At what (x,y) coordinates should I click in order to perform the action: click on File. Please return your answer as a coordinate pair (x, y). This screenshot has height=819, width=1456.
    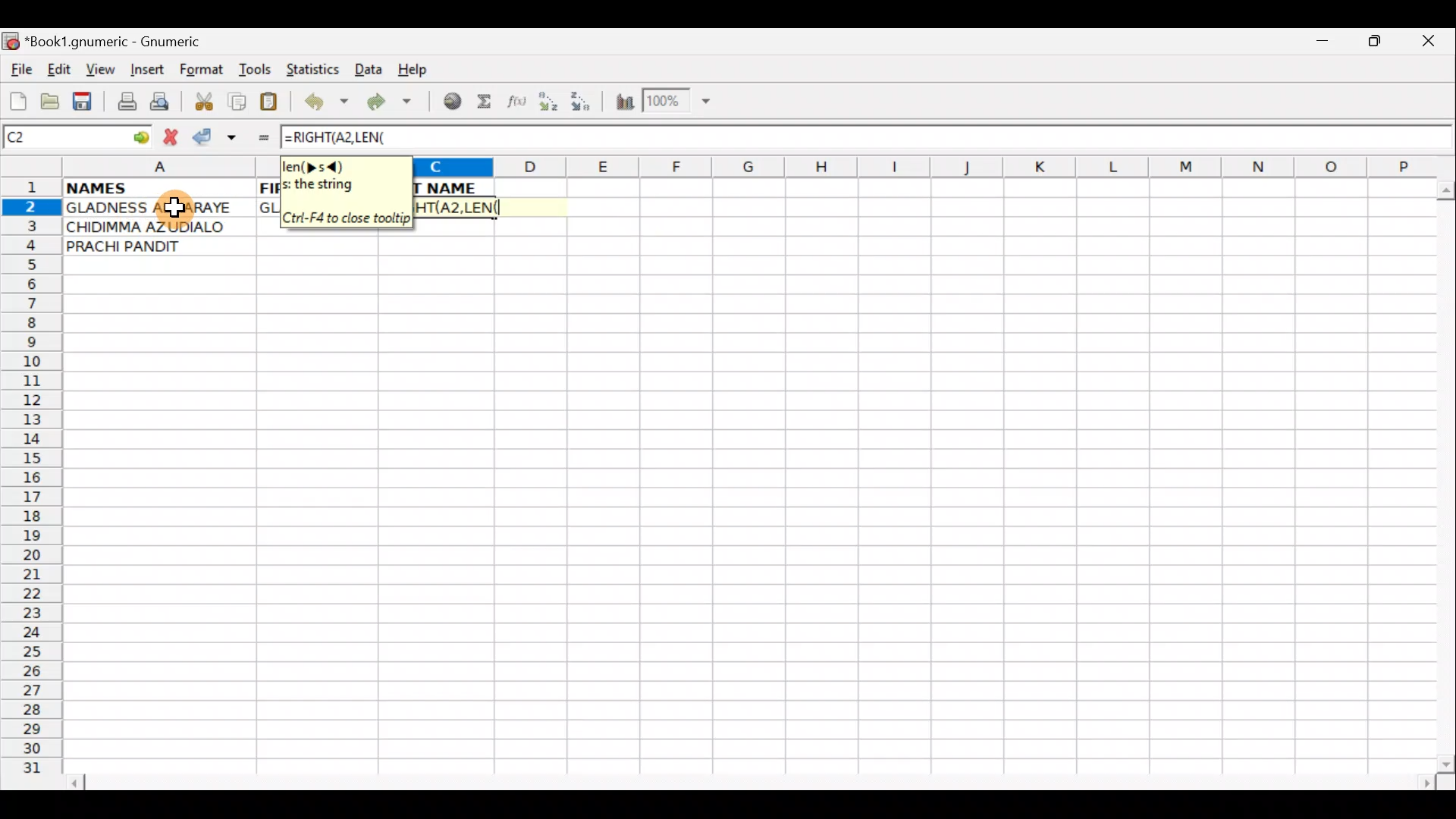
    Looking at the image, I should click on (20, 71).